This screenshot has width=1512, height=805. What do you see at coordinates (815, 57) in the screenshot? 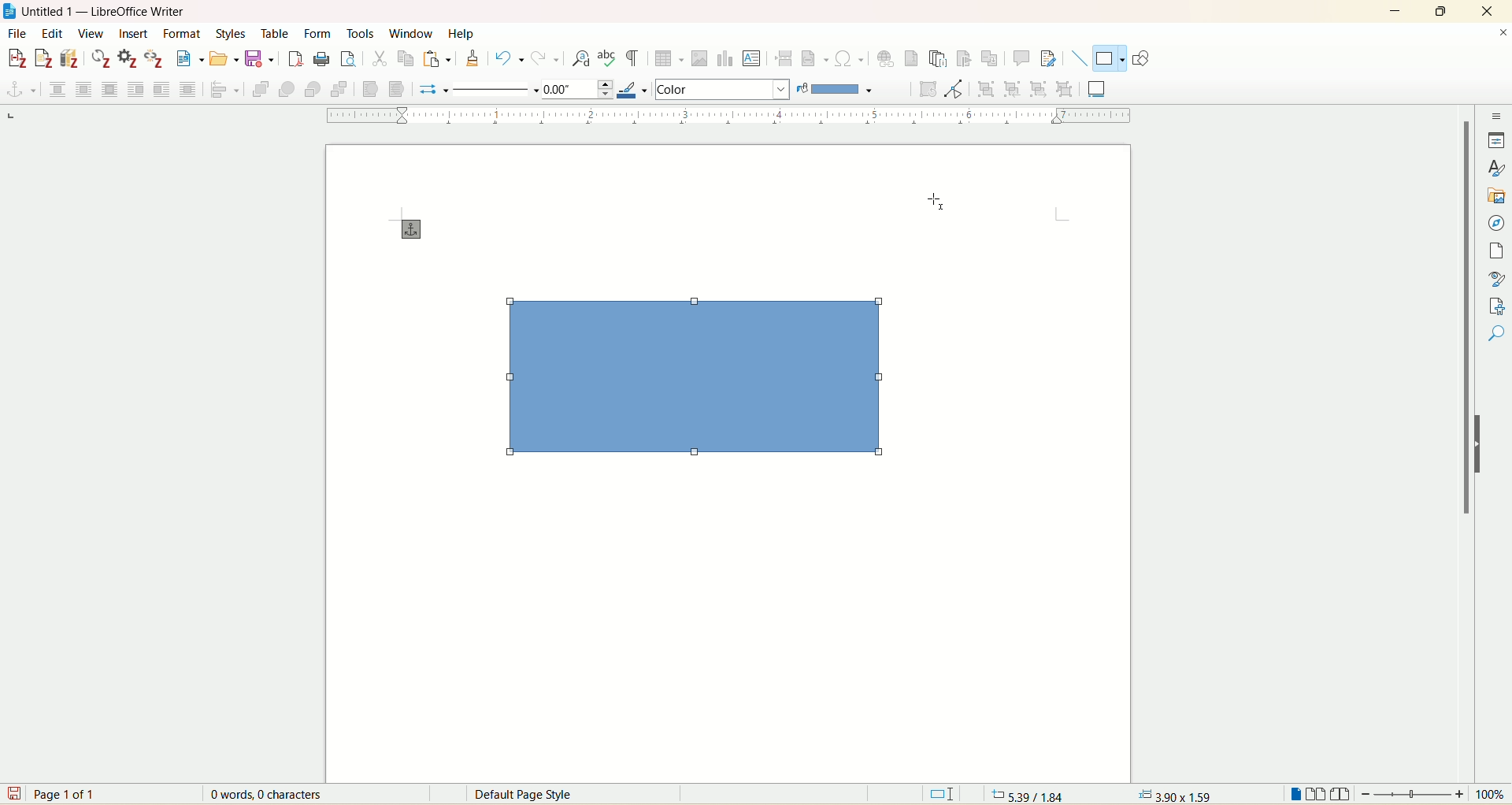
I see `insert field ` at bounding box center [815, 57].